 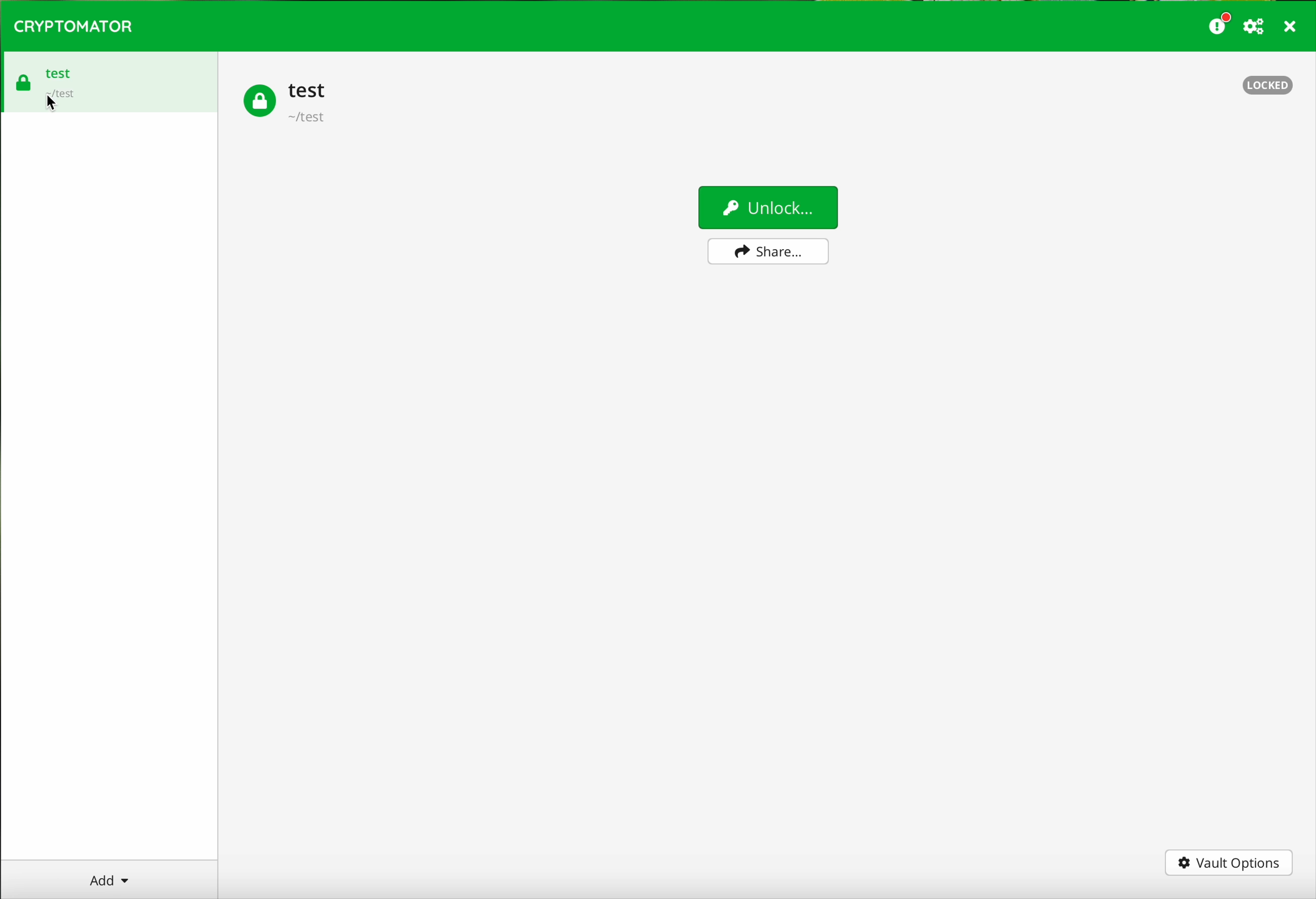 I want to click on unlock , so click(x=767, y=207).